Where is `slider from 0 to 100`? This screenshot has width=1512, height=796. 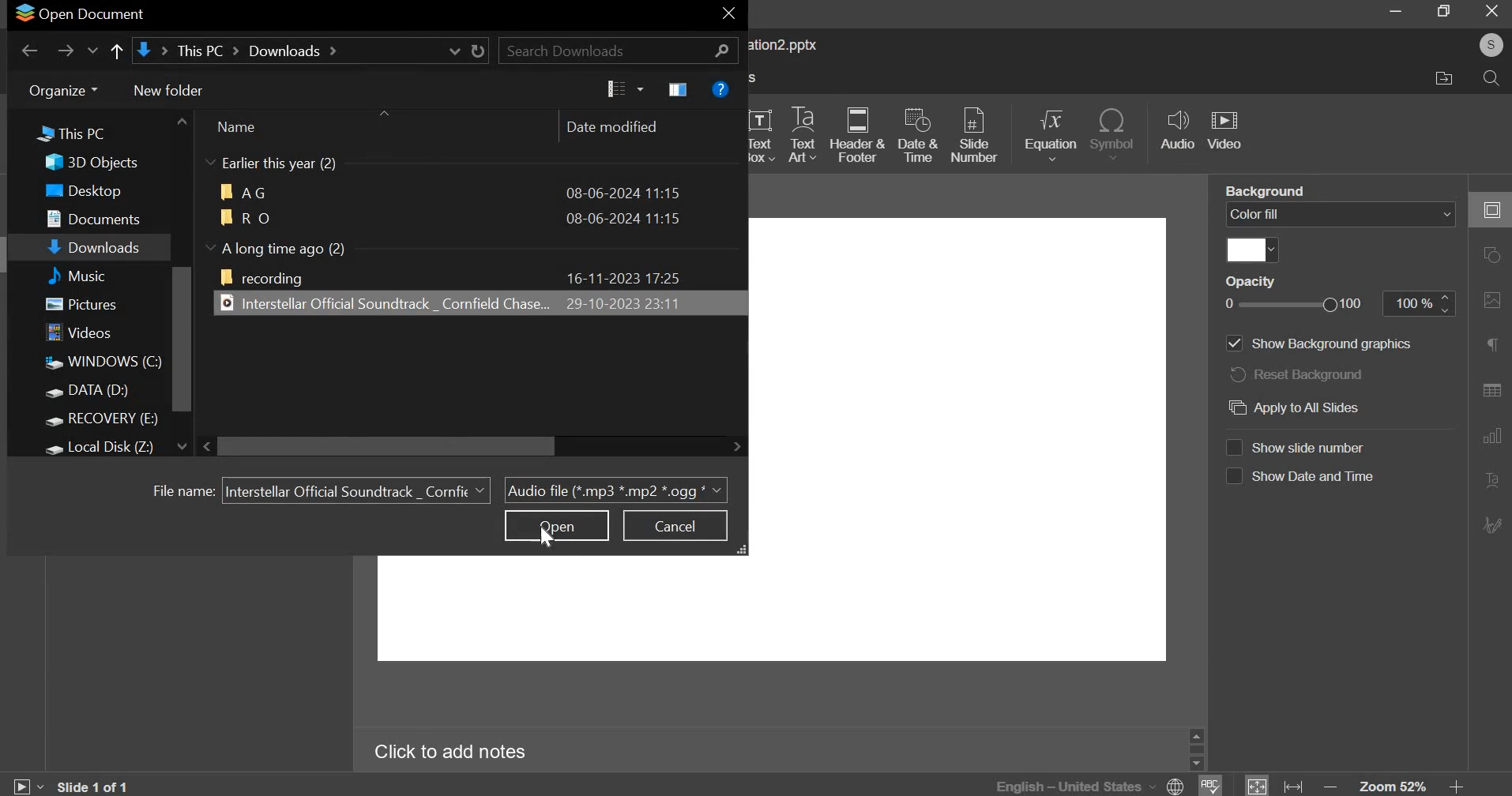
slider from 0 to 100 is located at coordinates (1292, 303).